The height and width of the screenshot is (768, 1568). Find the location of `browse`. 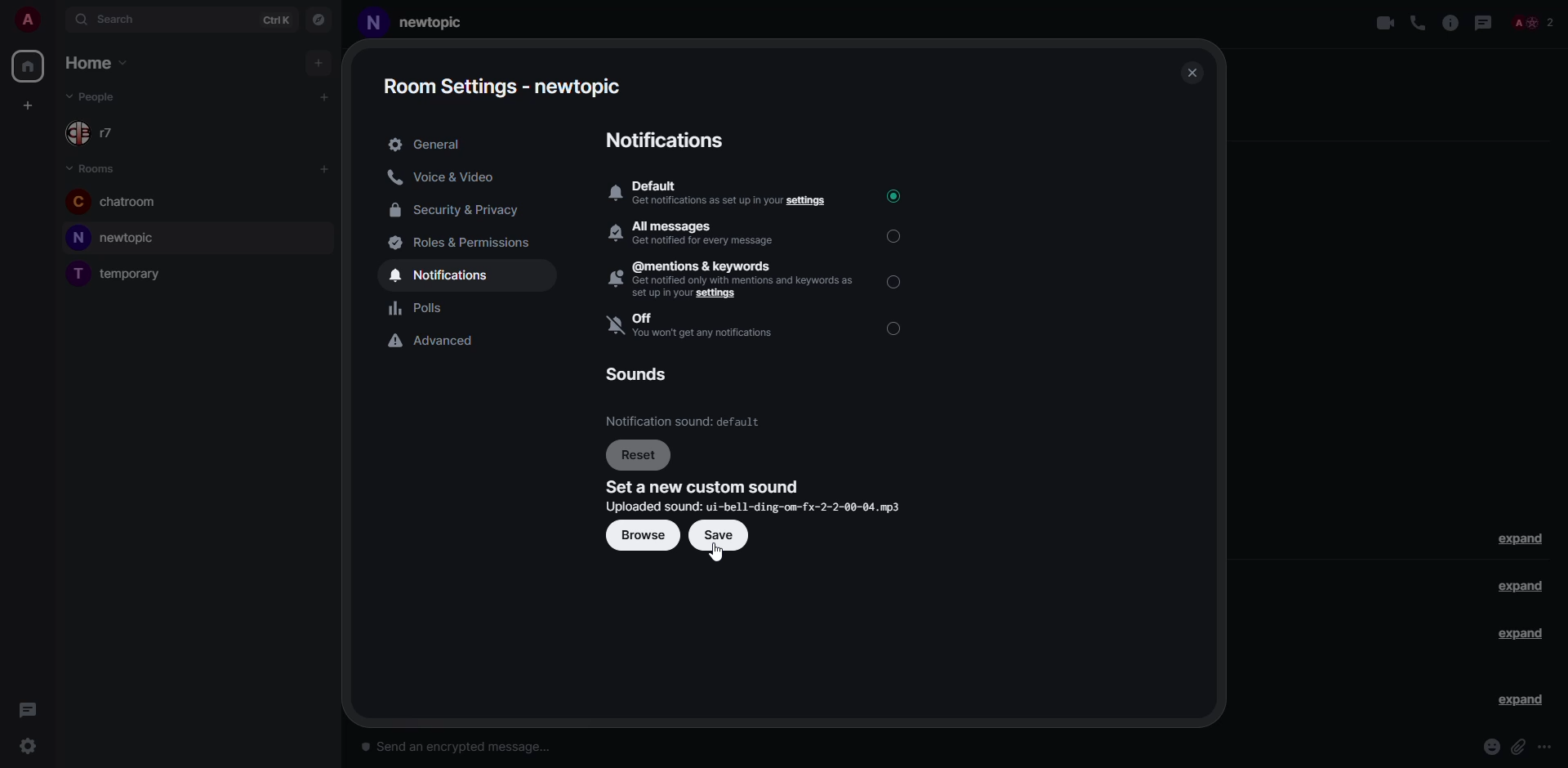

browse is located at coordinates (640, 535).